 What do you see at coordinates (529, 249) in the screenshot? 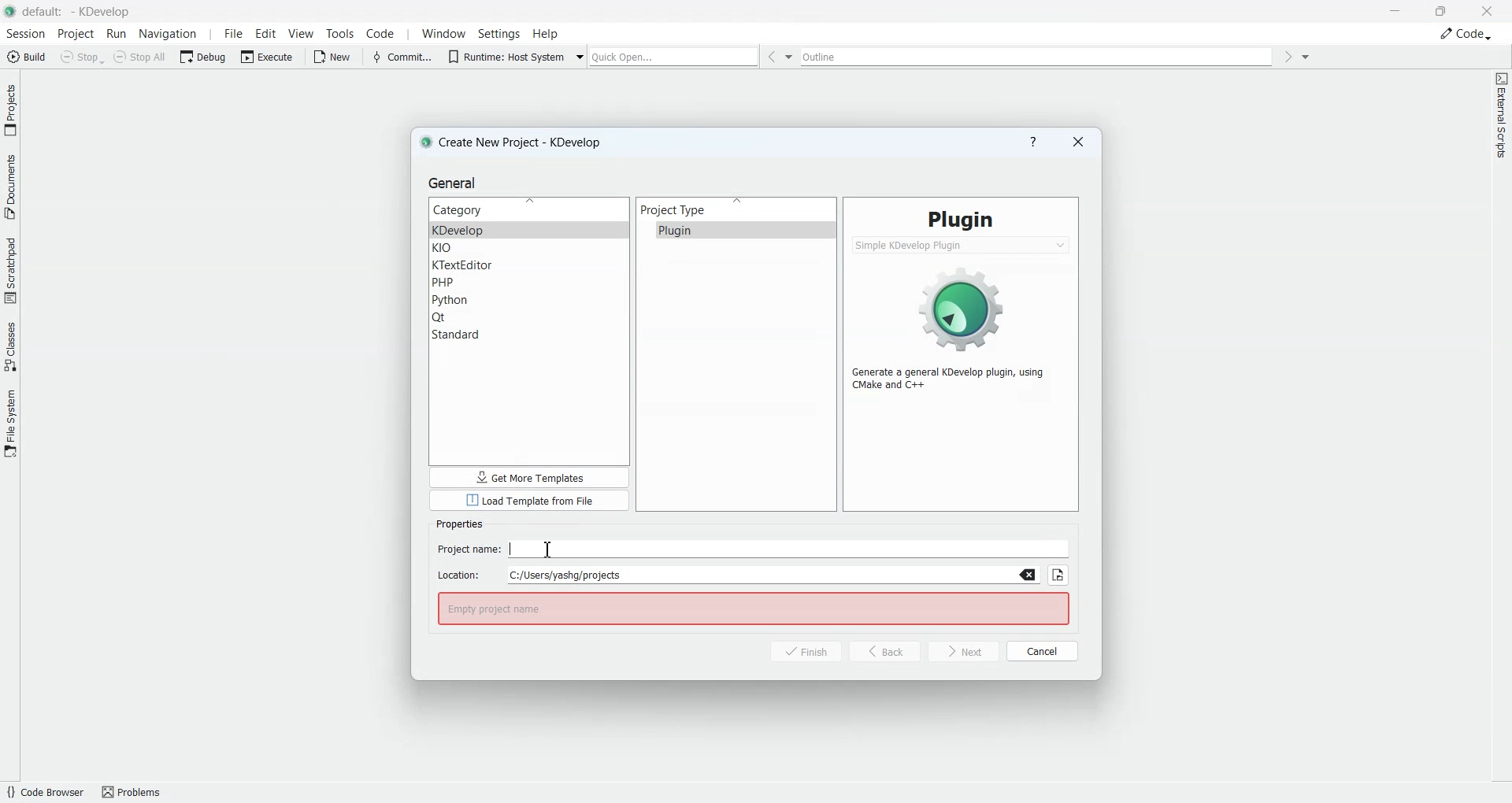
I see `KIO` at bounding box center [529, 249].